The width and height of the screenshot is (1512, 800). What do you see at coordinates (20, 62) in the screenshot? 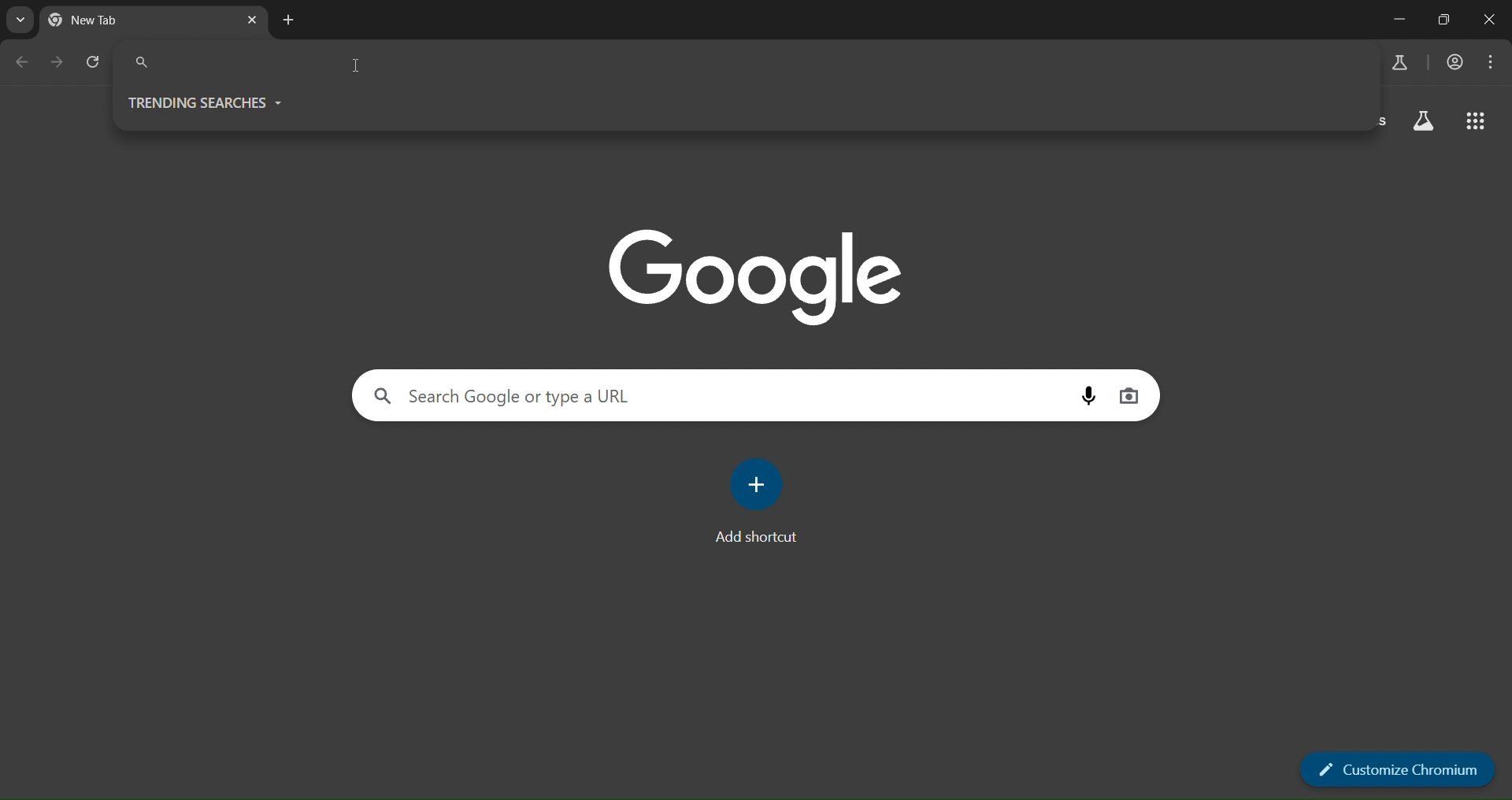
I see `go back one page` at bounding box center [20, 62].